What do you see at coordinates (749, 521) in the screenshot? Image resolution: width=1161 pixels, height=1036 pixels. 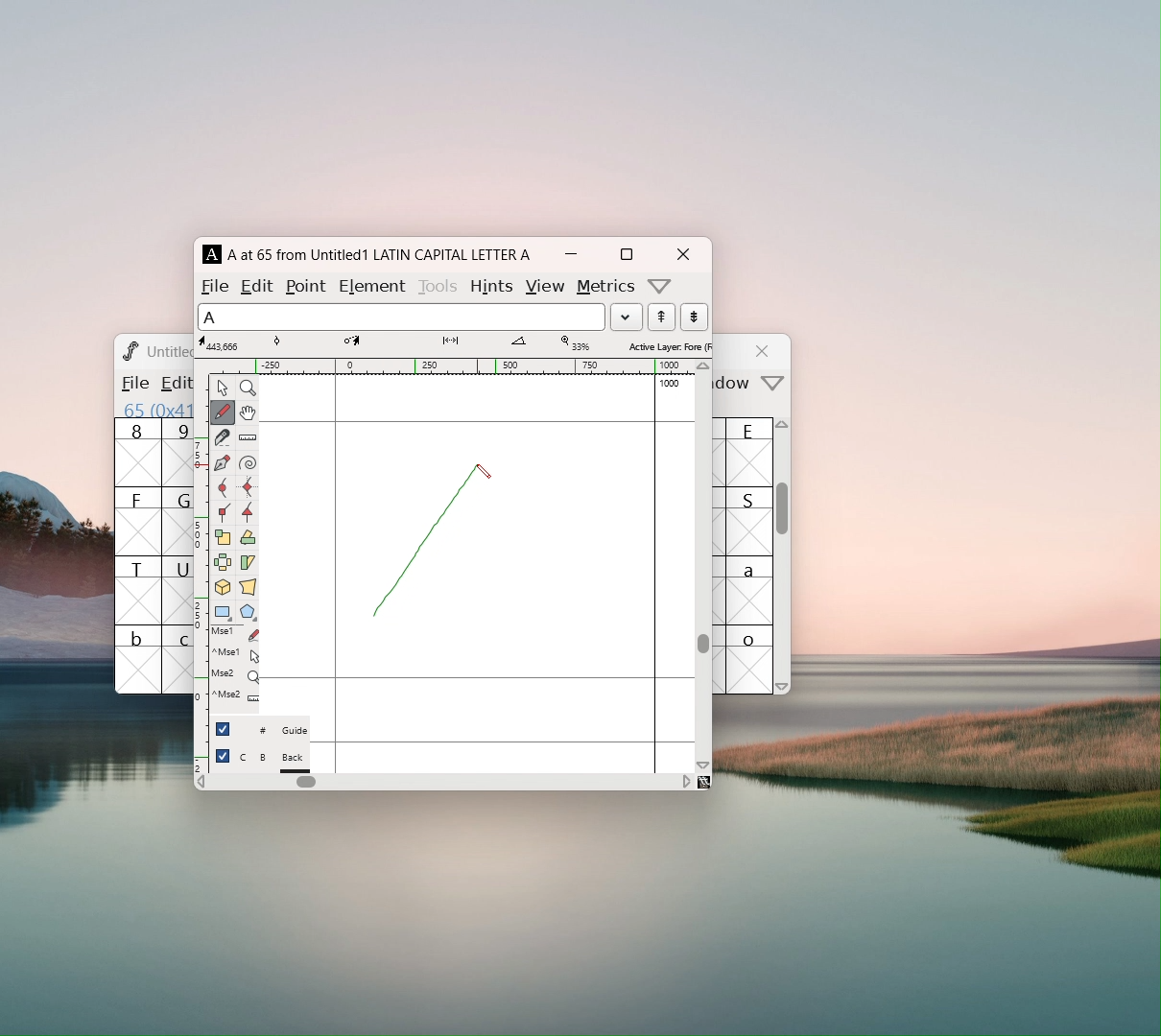 I see `S` at bounding box center [749, 521].